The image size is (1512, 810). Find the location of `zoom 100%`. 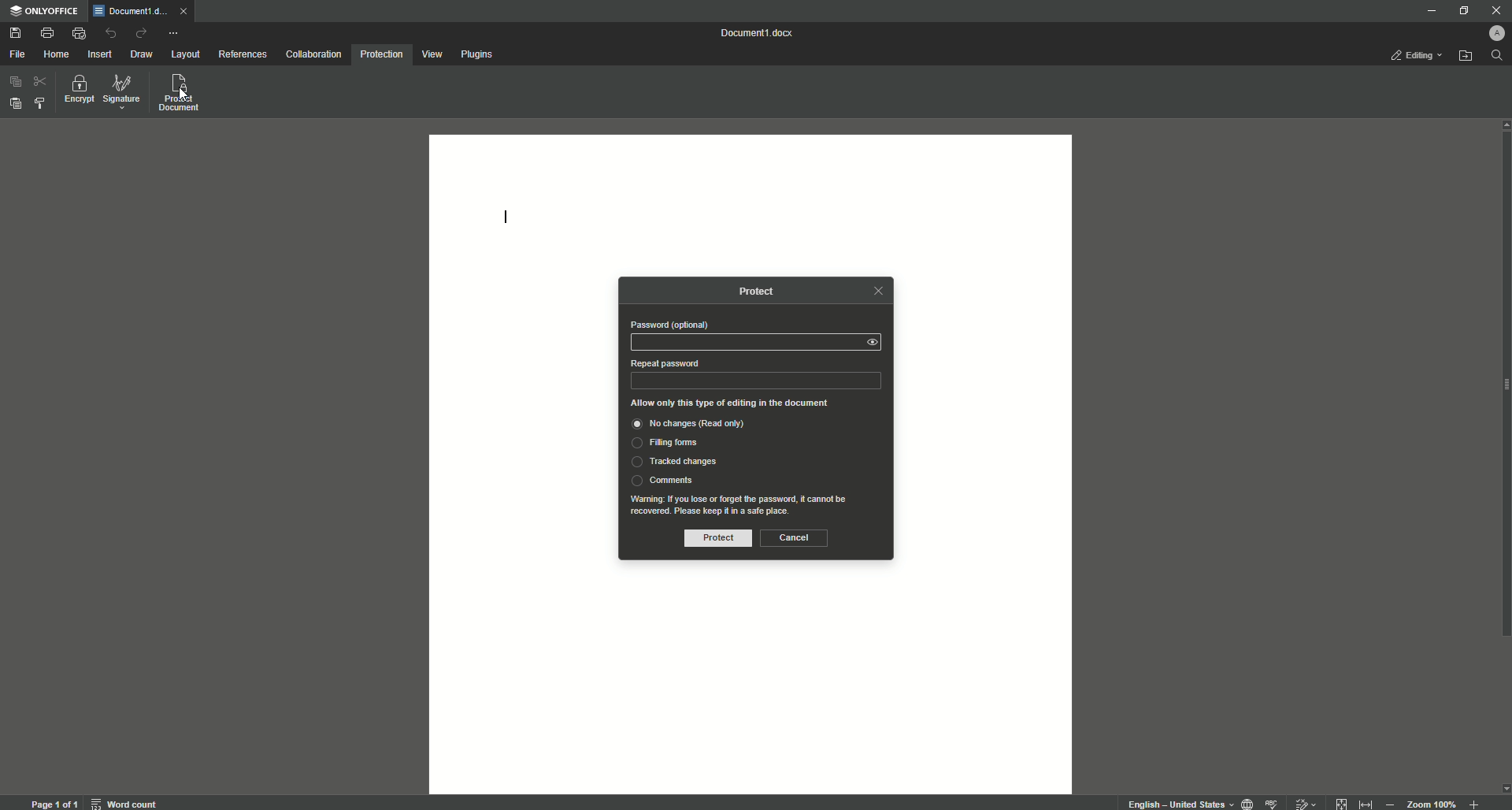

zoom 100% is located at coordinates (1433, 801).